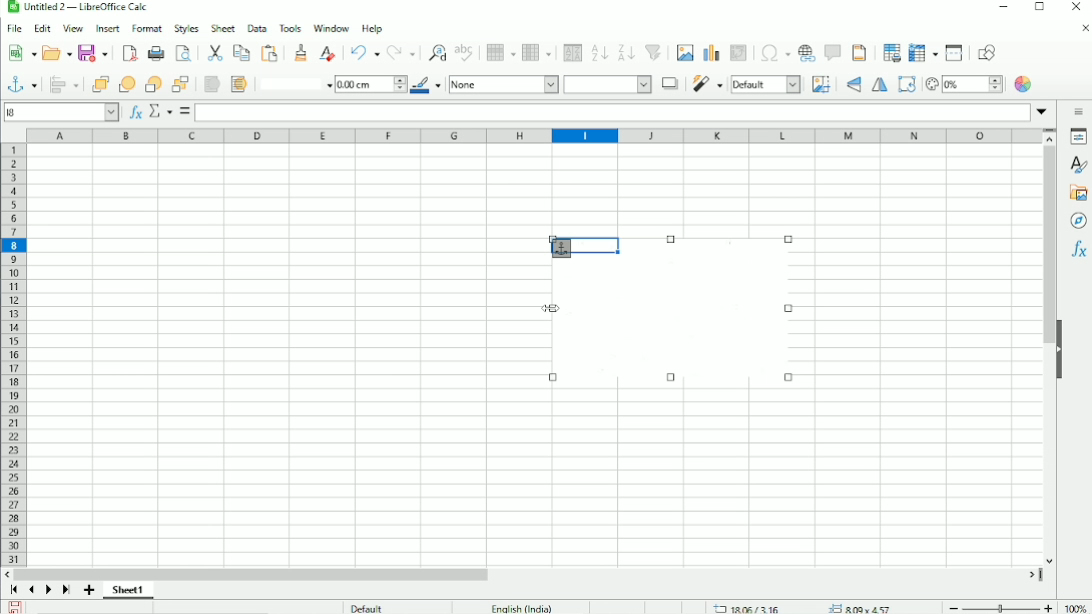 The height and width of the screenshot is (614, 1092). Describe the element at coordinates (127, 84) in the screenshot. I see `Forward one` at that location.